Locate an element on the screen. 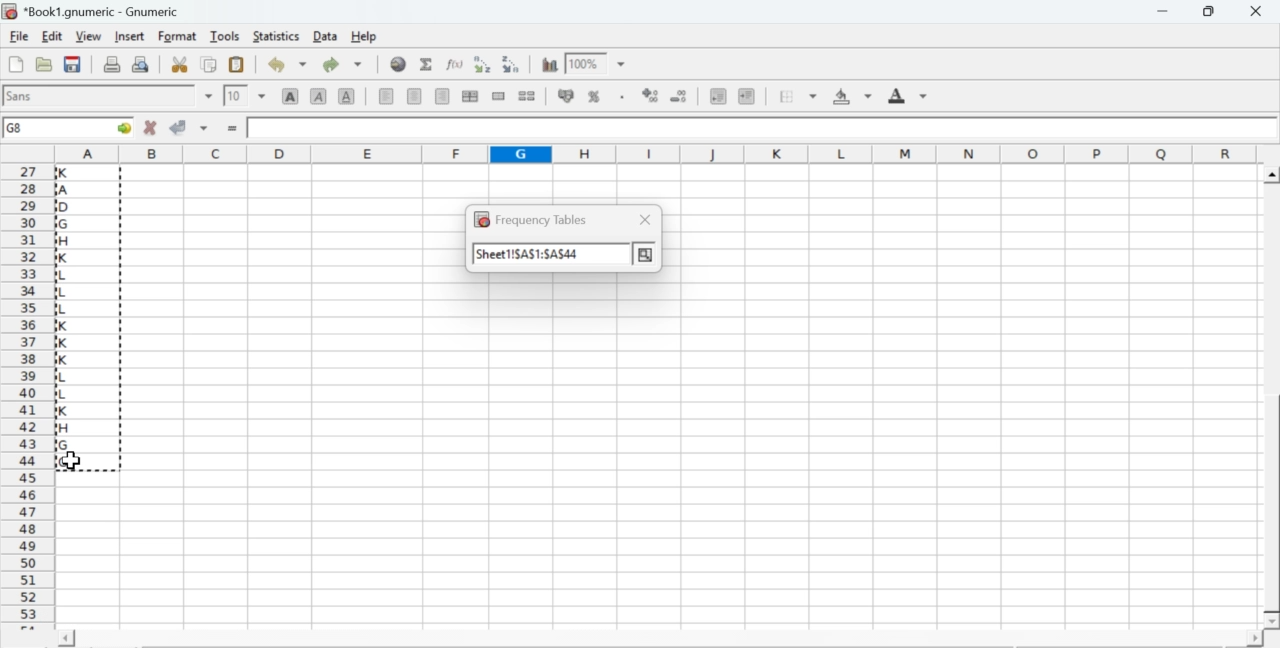 The width and height of the screenshot is (1280, 648). undo is located at coordinates (286, 65).